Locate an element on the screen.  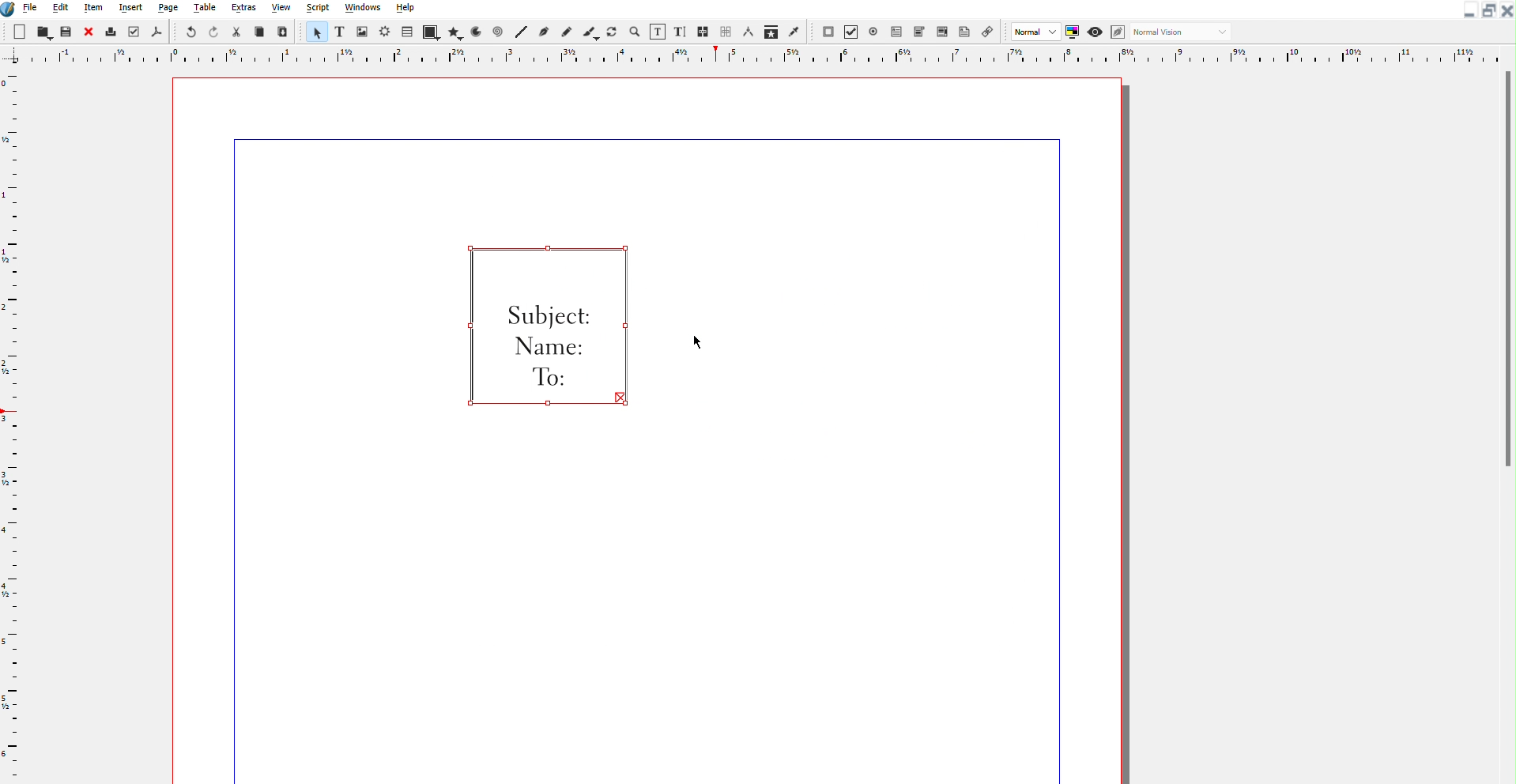
Normal Vision is located at coordinates (1182, 32).